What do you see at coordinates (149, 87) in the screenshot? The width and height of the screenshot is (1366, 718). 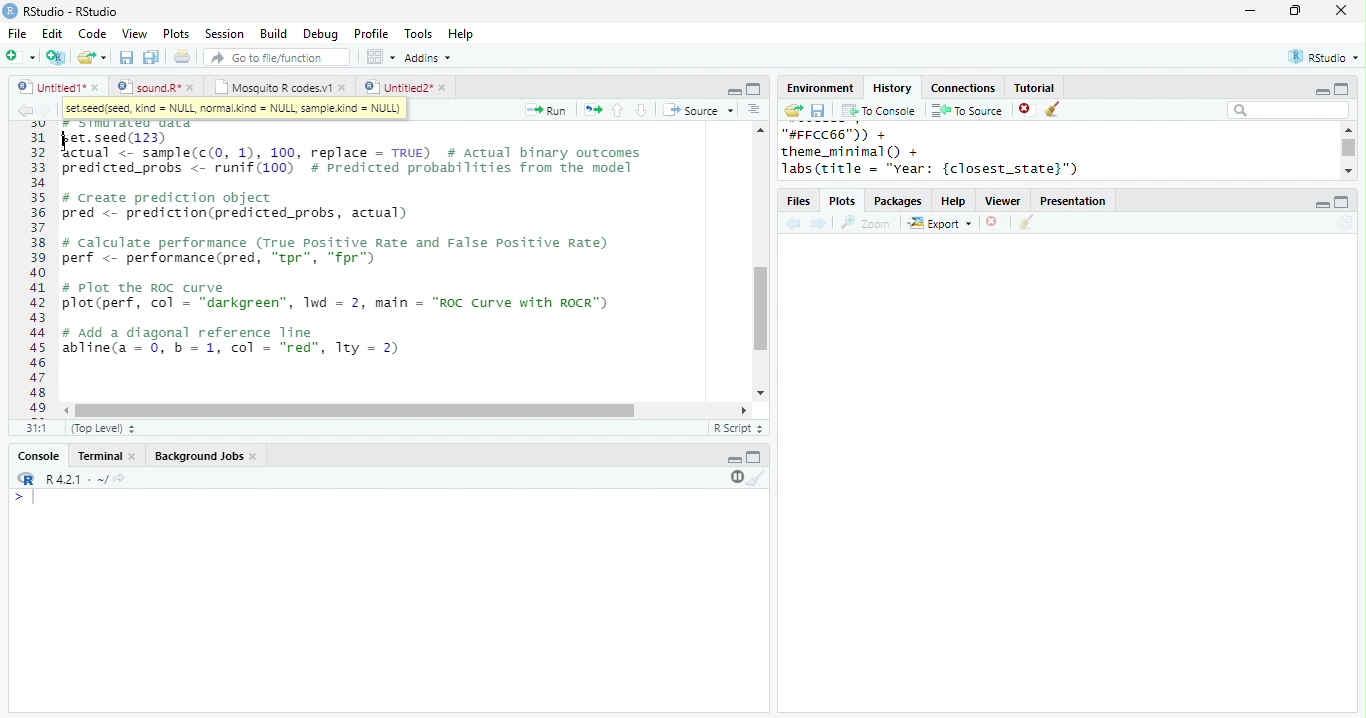 I see `sound.R` at bounding box center [149, 87].